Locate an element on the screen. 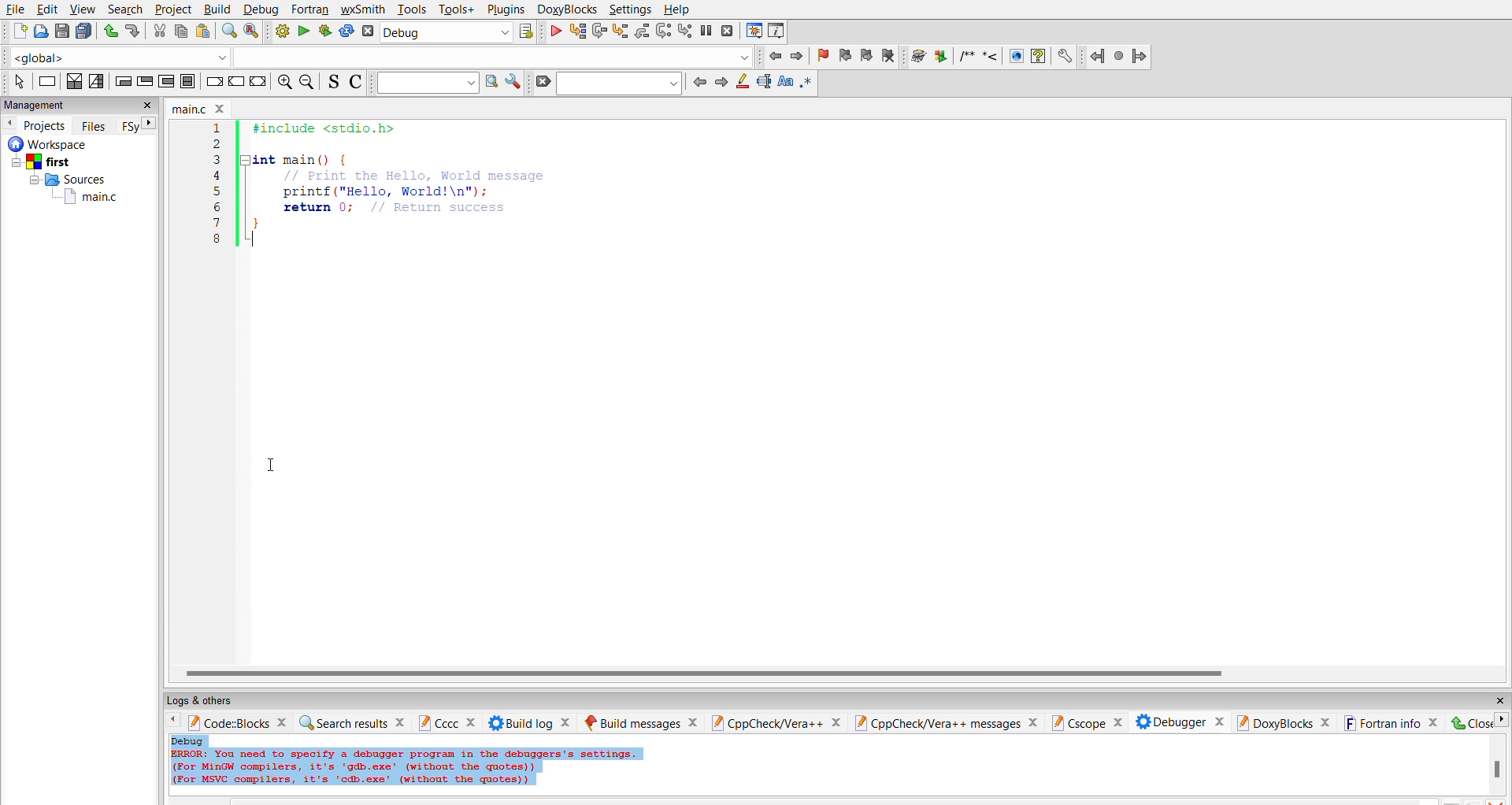 The height and width of the screenshot is (805, 1512). close is located at coordinates (1495, 697).